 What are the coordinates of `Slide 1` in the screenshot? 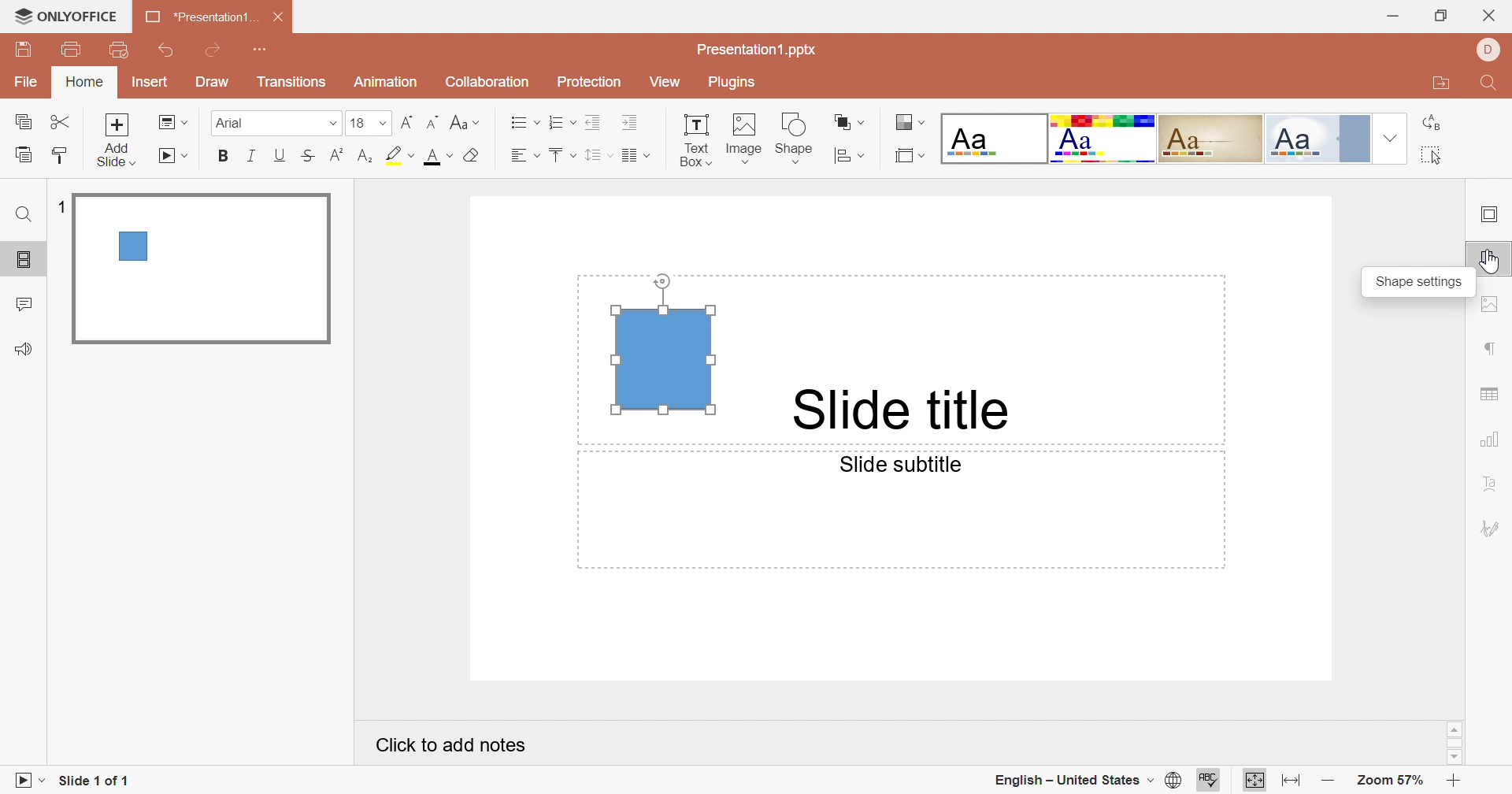 It's located at (205, 270).